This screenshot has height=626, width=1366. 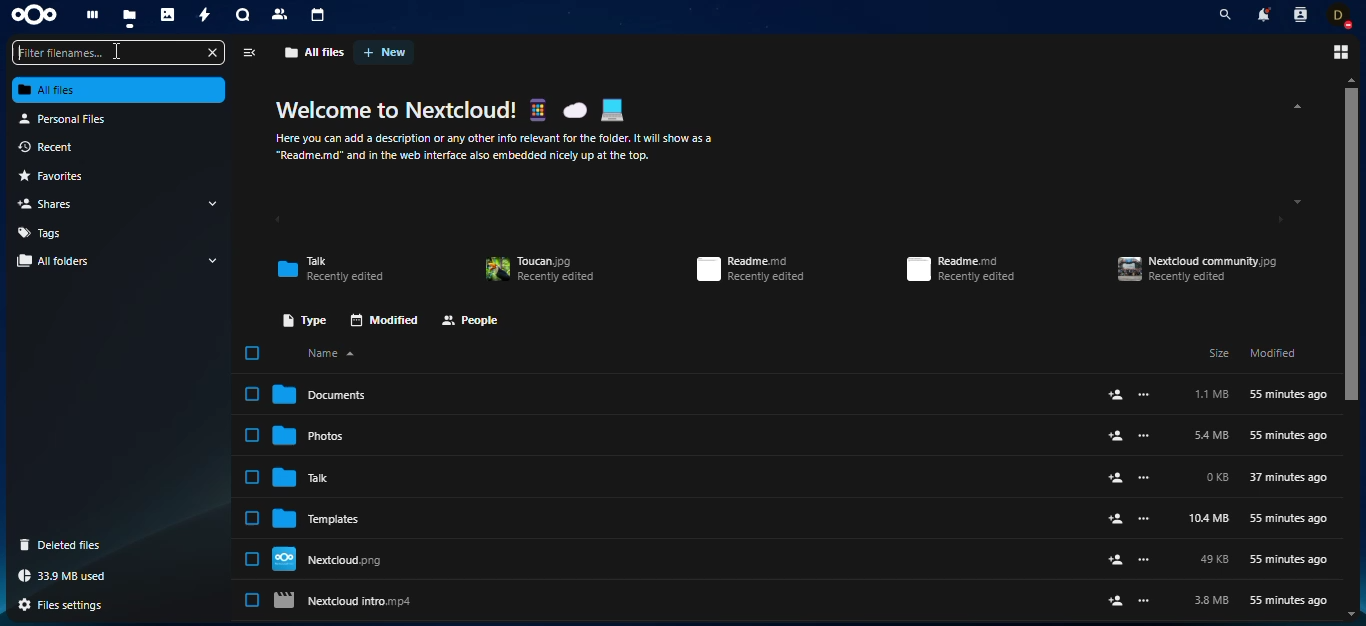 What do you see at coordinates (108, 53) in the screenshot?
I see `Filter filenames...` at bounding box center [108, 53].